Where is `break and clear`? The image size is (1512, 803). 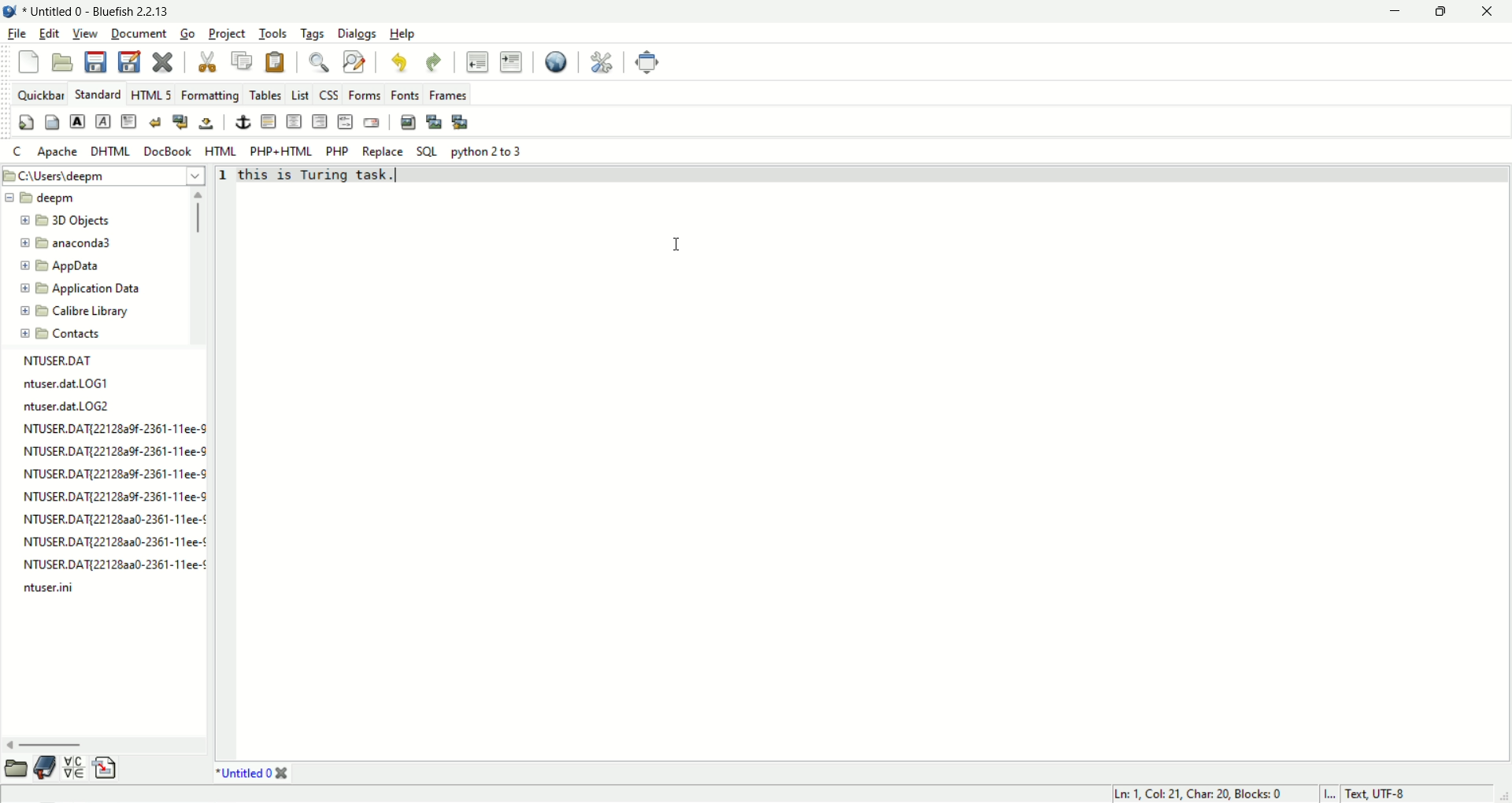 break and clear is located at coordinates (181, 123).